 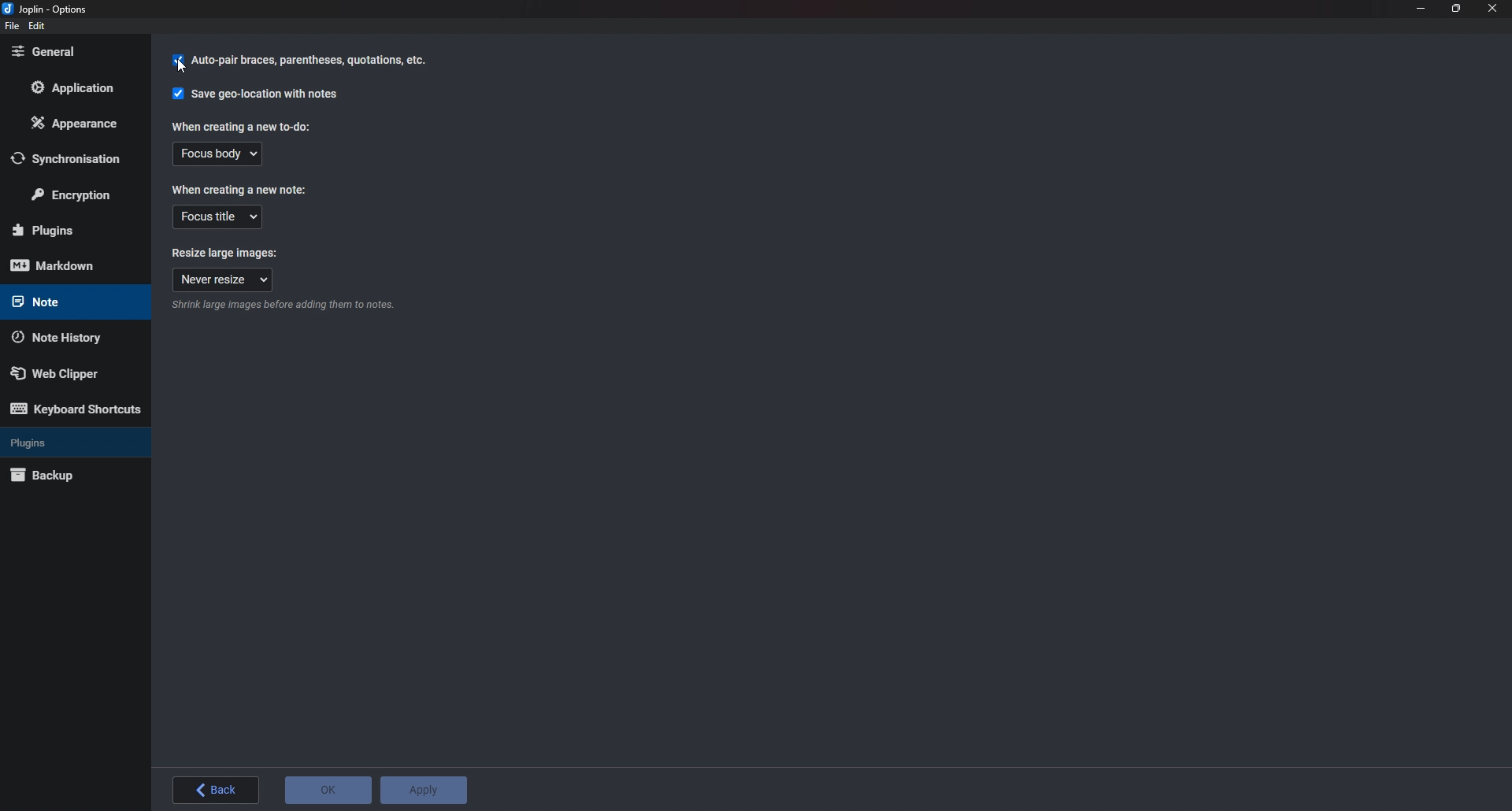 What do you see at coordinates (65, 302) in the screenshot?
I see `note` at bounding box center [65, 302].